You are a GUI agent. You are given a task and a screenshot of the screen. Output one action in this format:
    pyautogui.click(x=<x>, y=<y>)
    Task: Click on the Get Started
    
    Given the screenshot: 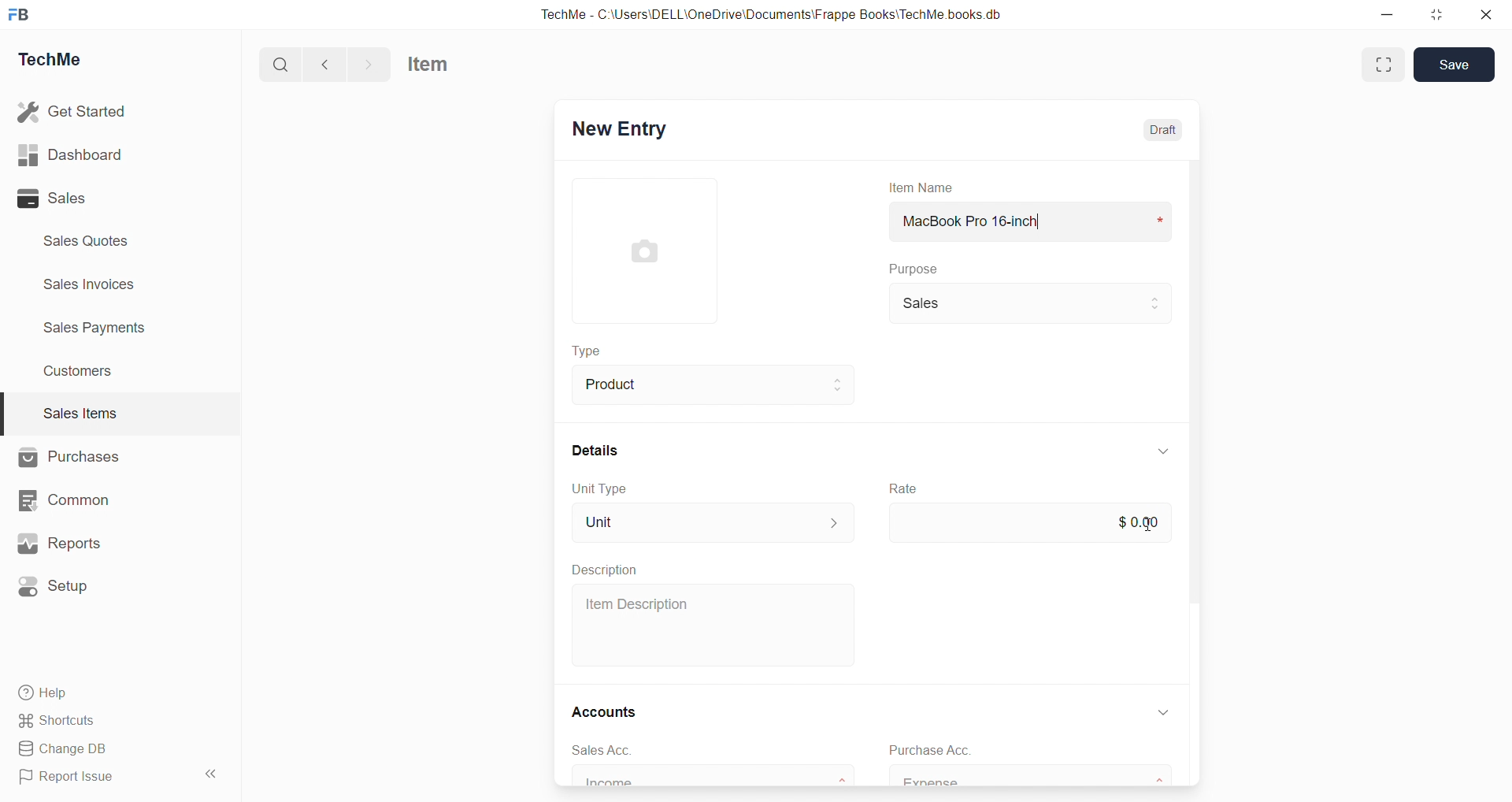 What is the action you would take?
    pyautogui.click(x=73, y=112)
    